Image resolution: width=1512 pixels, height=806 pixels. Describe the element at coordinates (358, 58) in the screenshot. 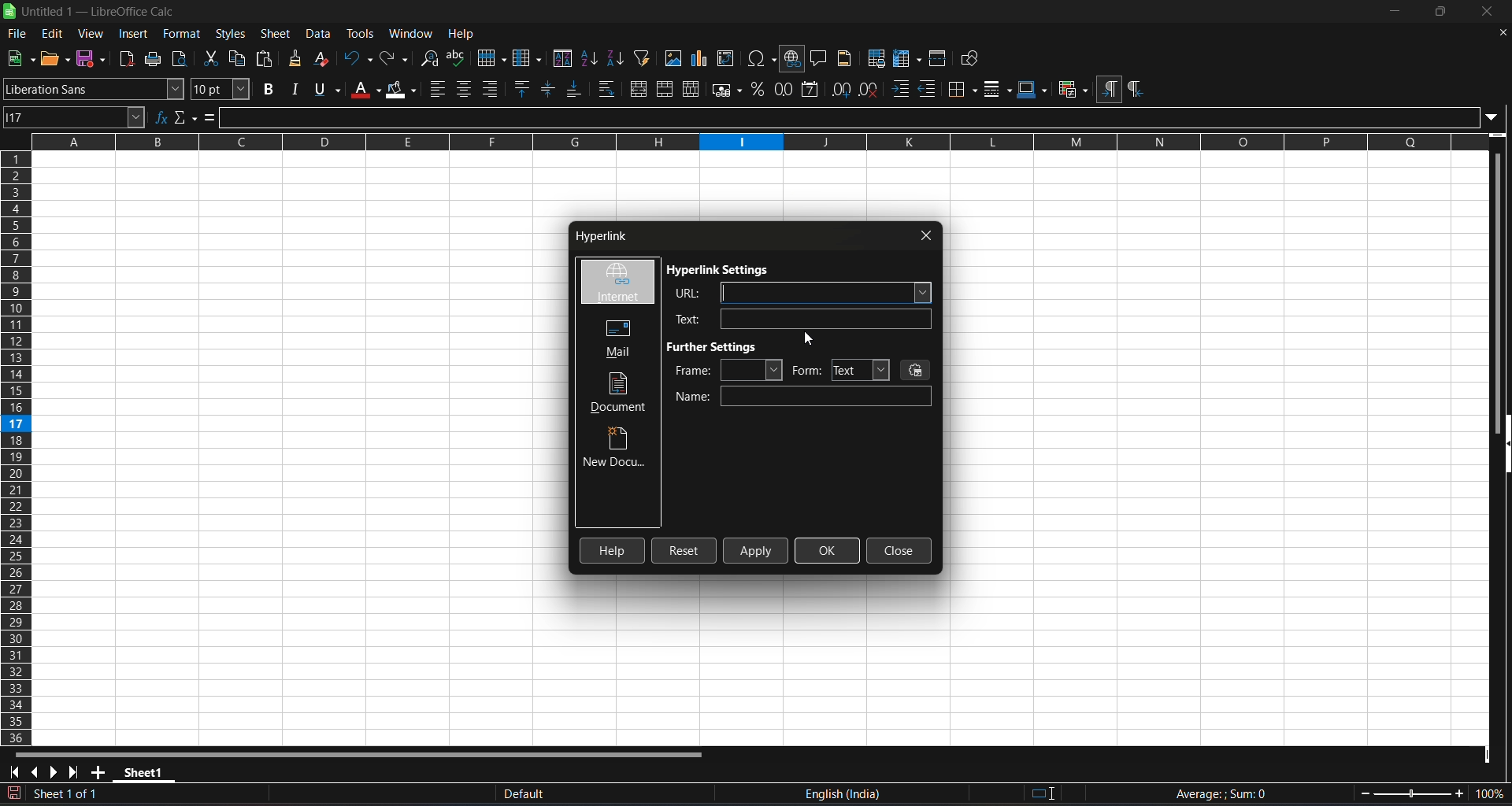

I see `undo` at that location.